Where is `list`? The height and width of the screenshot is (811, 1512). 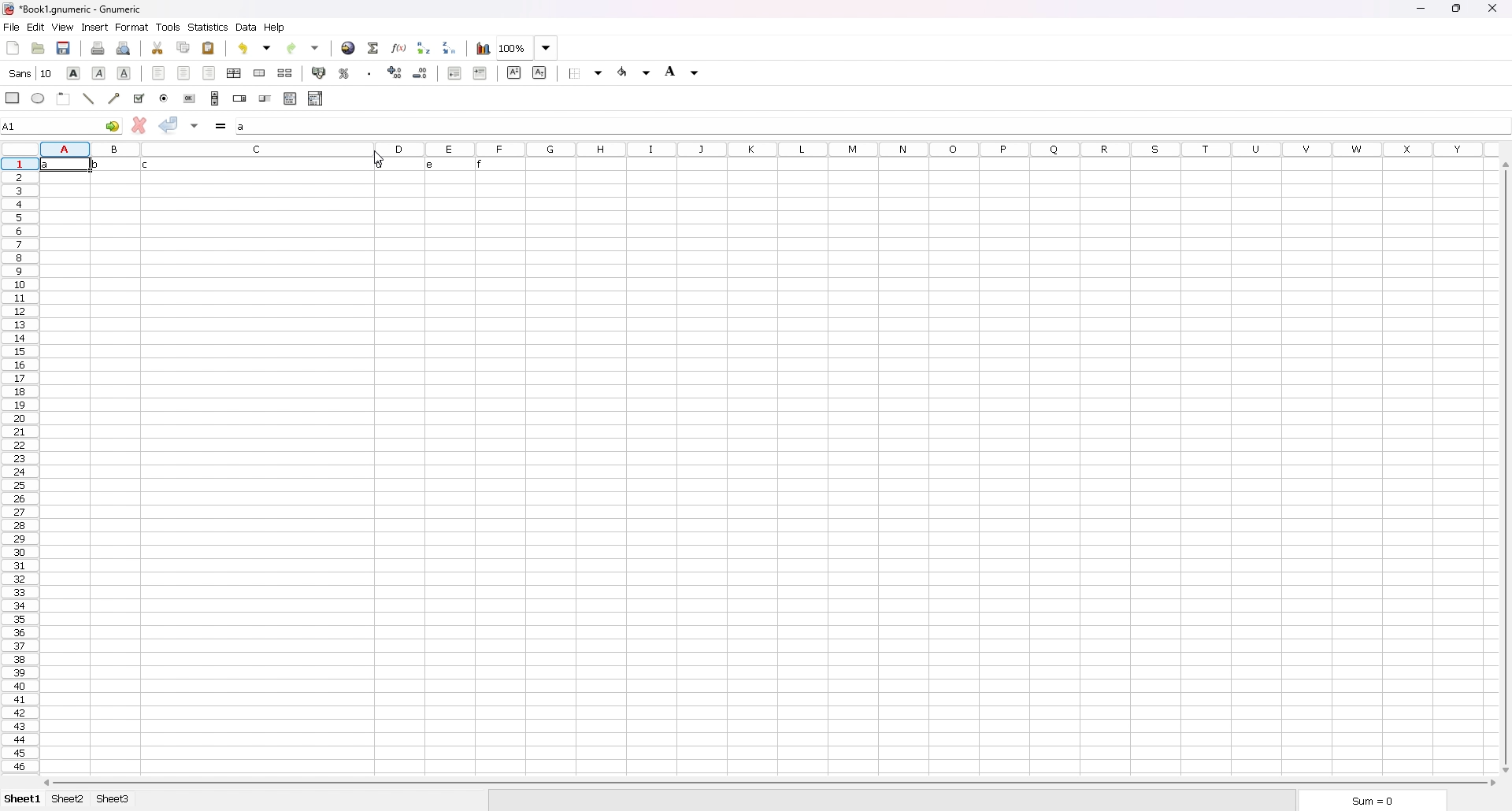
list is located at coordinates (290, 98).